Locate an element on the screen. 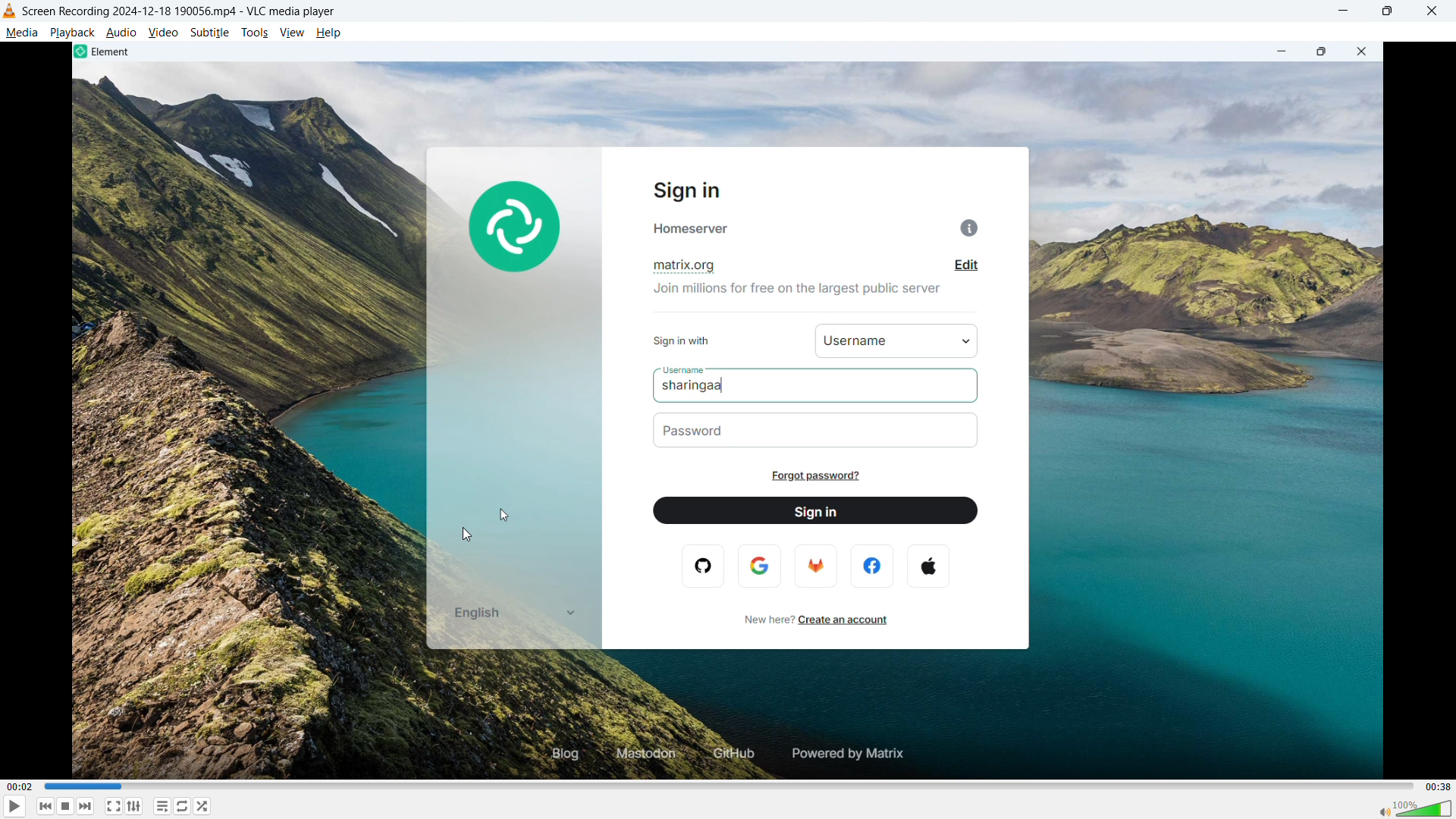 The height and width of the screenshot is (819, 1456). Media  is located at coordinates (21, 33).